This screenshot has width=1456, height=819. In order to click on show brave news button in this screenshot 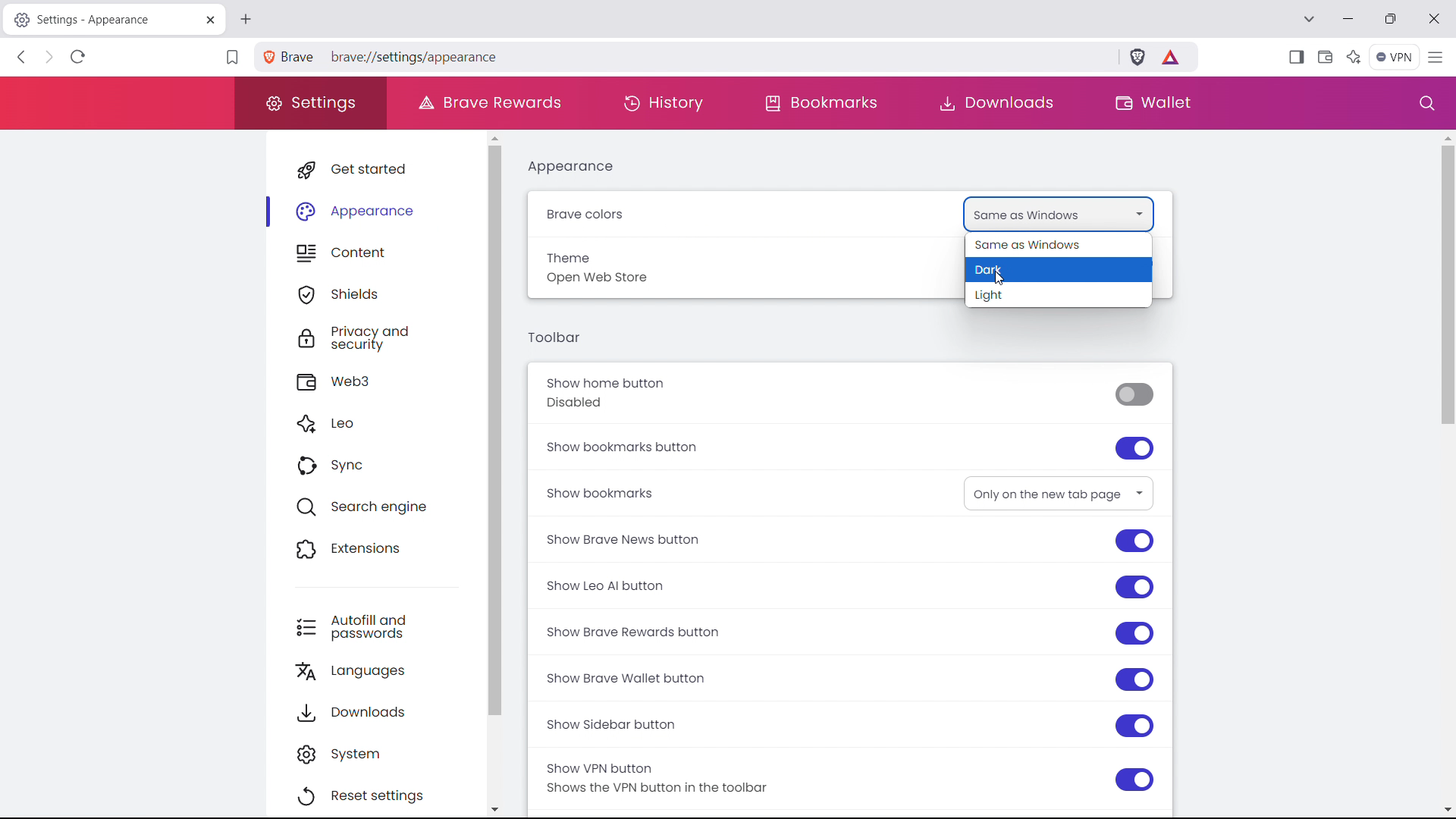, I will do `click(849, 541)`.